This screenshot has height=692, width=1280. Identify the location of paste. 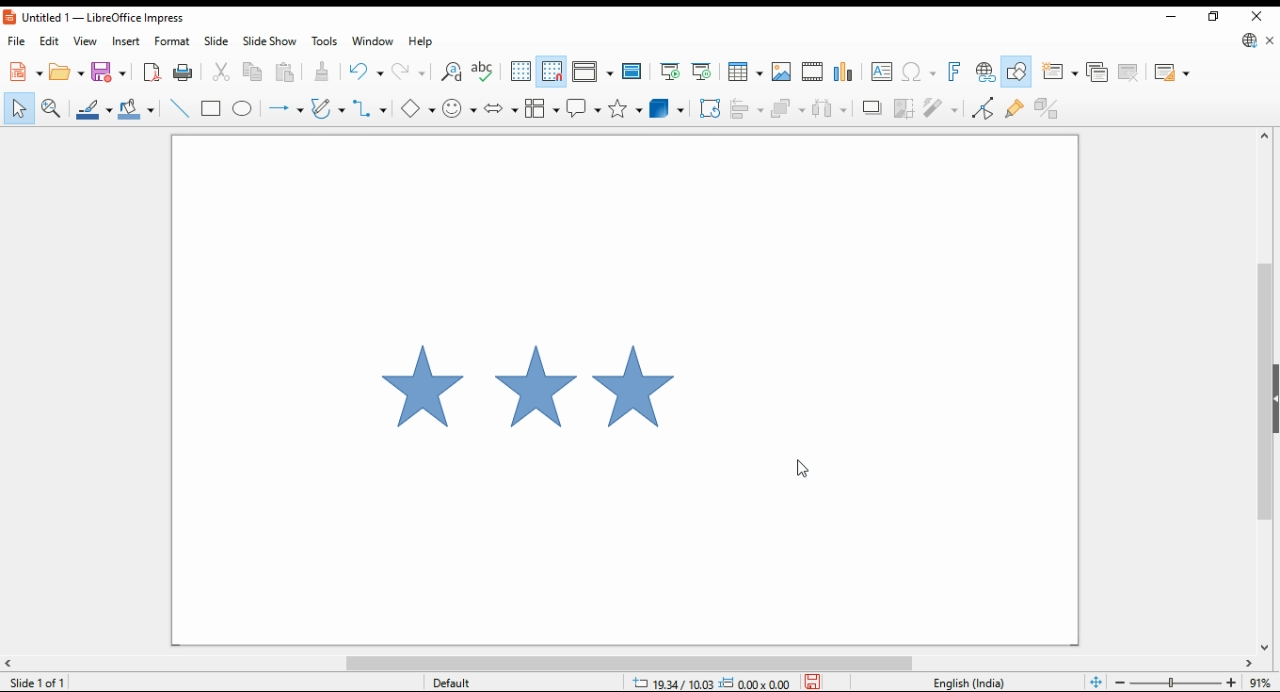
(325, 70).